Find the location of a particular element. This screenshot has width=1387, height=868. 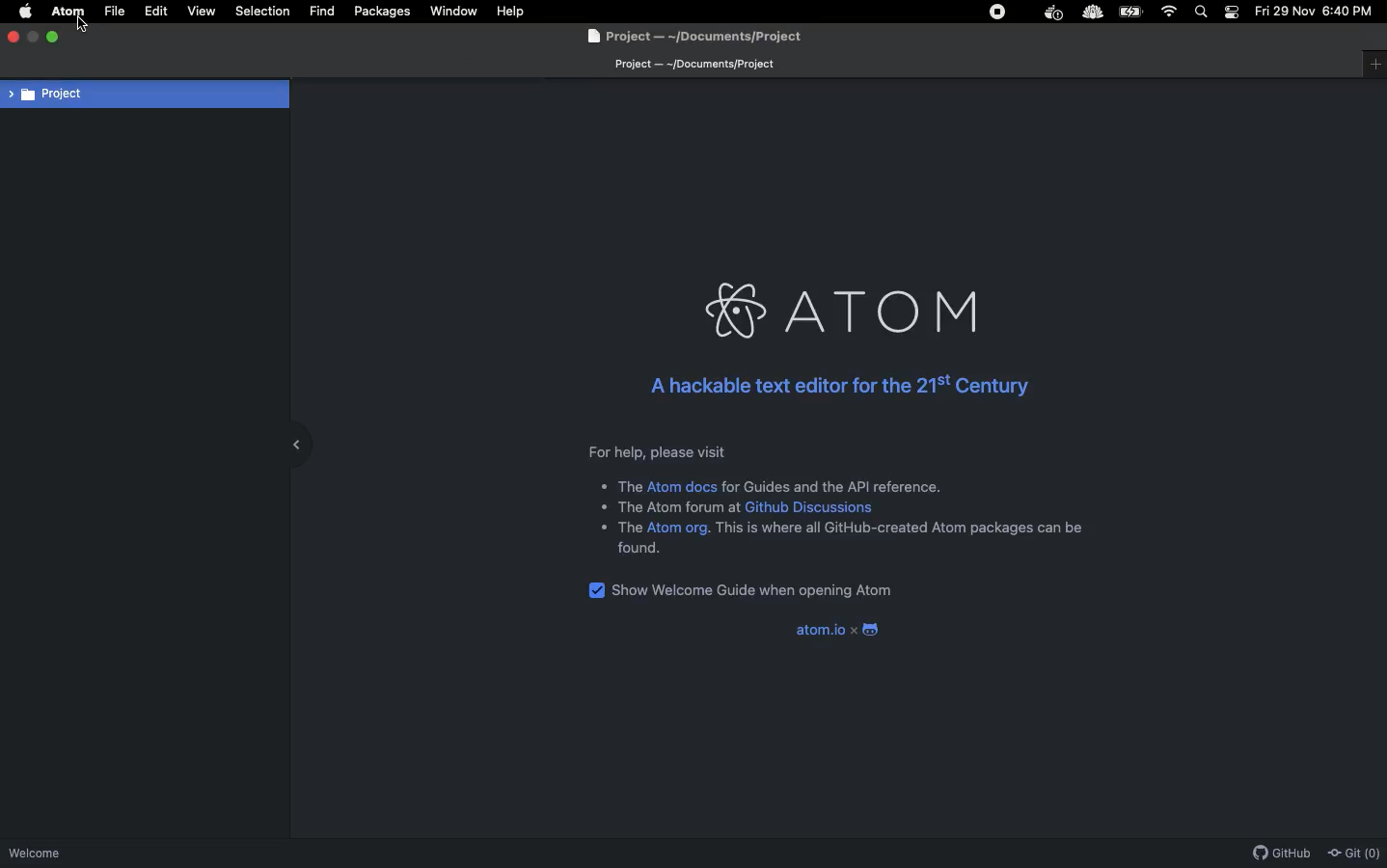

A hackable editor is located at coordinates (835, 387).